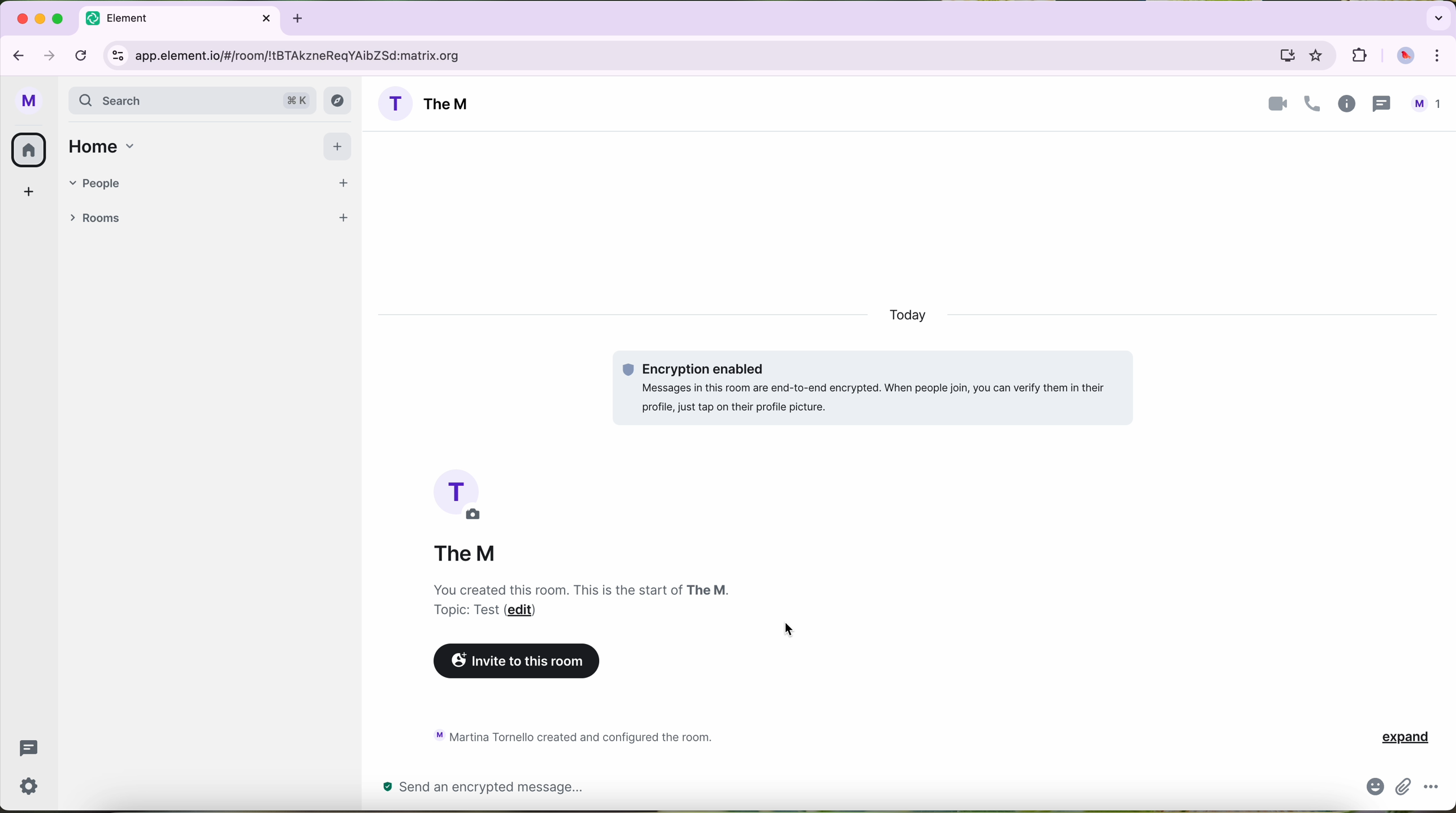 This screenshot has height=813, width=1456. What do you see at coordinates (339, 147) in the screenshot?
I see `add` at bounding box center [339, 147].